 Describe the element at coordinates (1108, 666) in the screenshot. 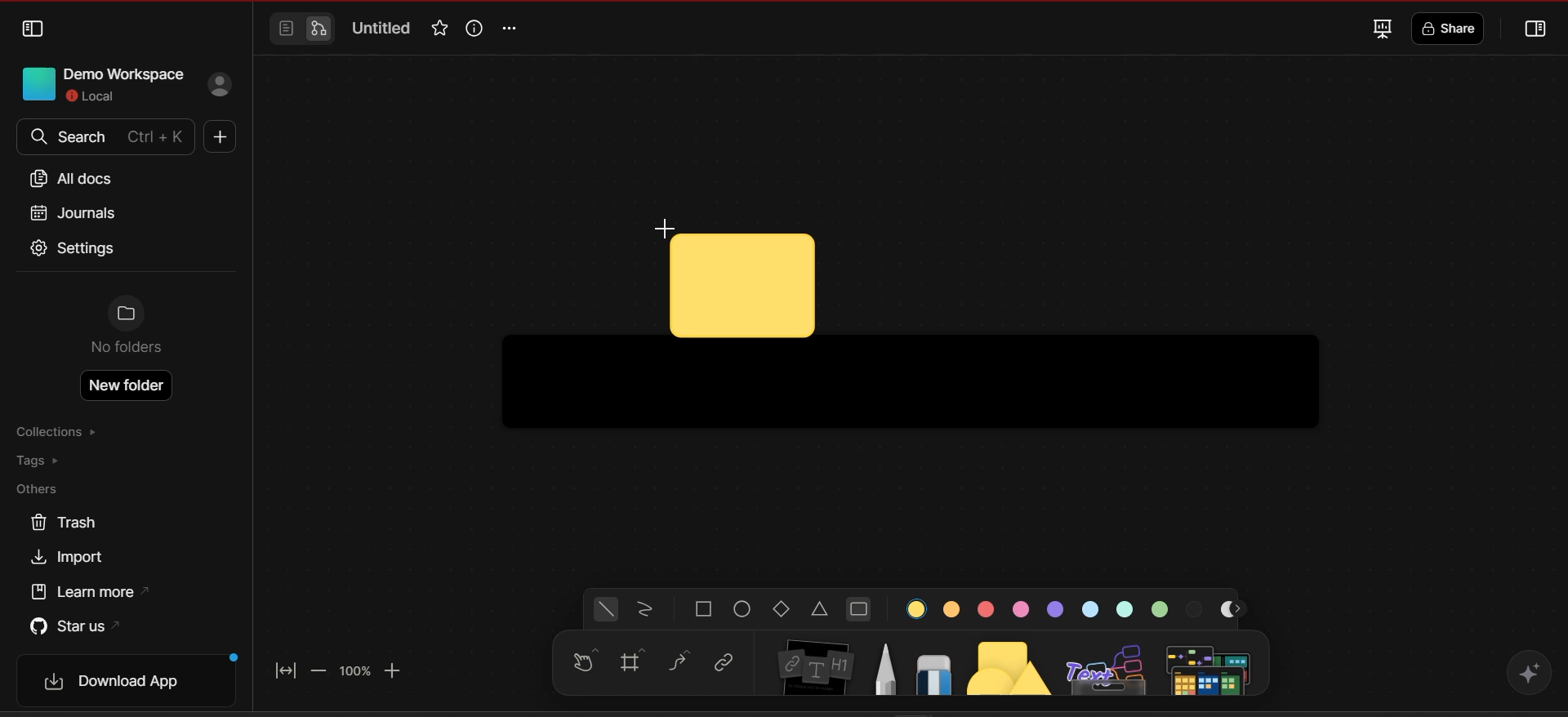

I see `others` at that location.